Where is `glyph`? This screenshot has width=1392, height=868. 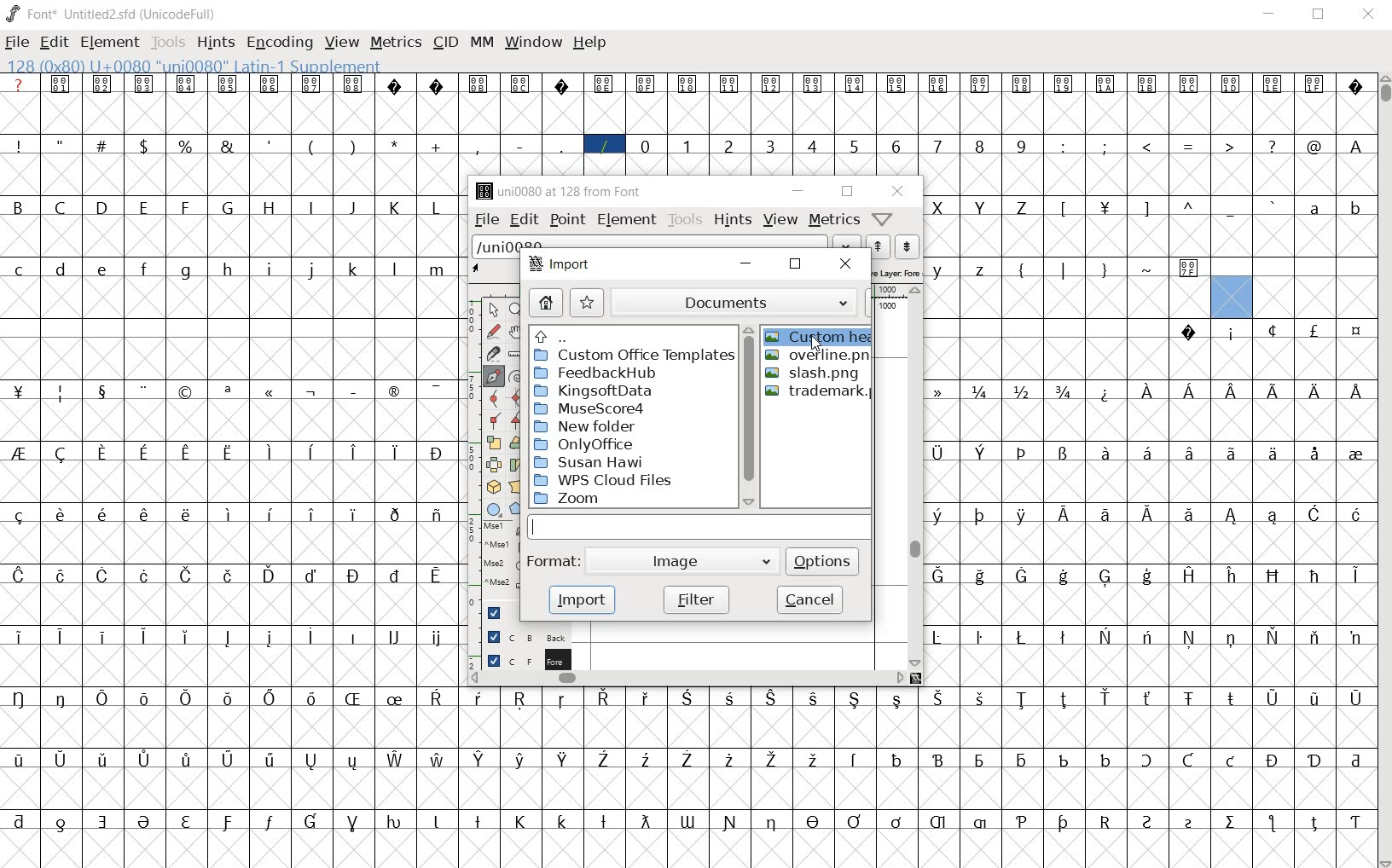 glyph is located at coordinates (1148, 515).